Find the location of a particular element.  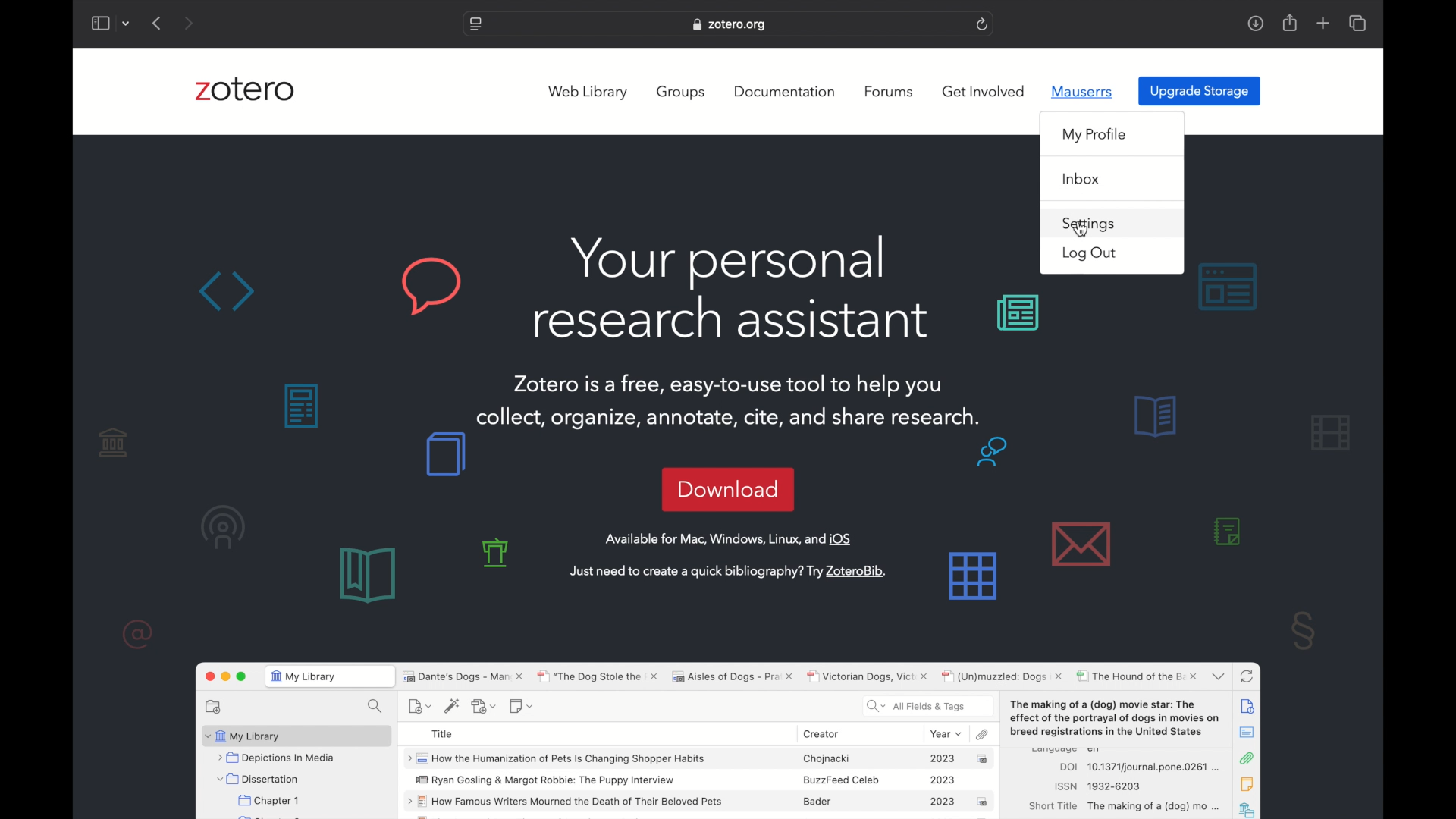

website address is located at coordinates (730, 25).